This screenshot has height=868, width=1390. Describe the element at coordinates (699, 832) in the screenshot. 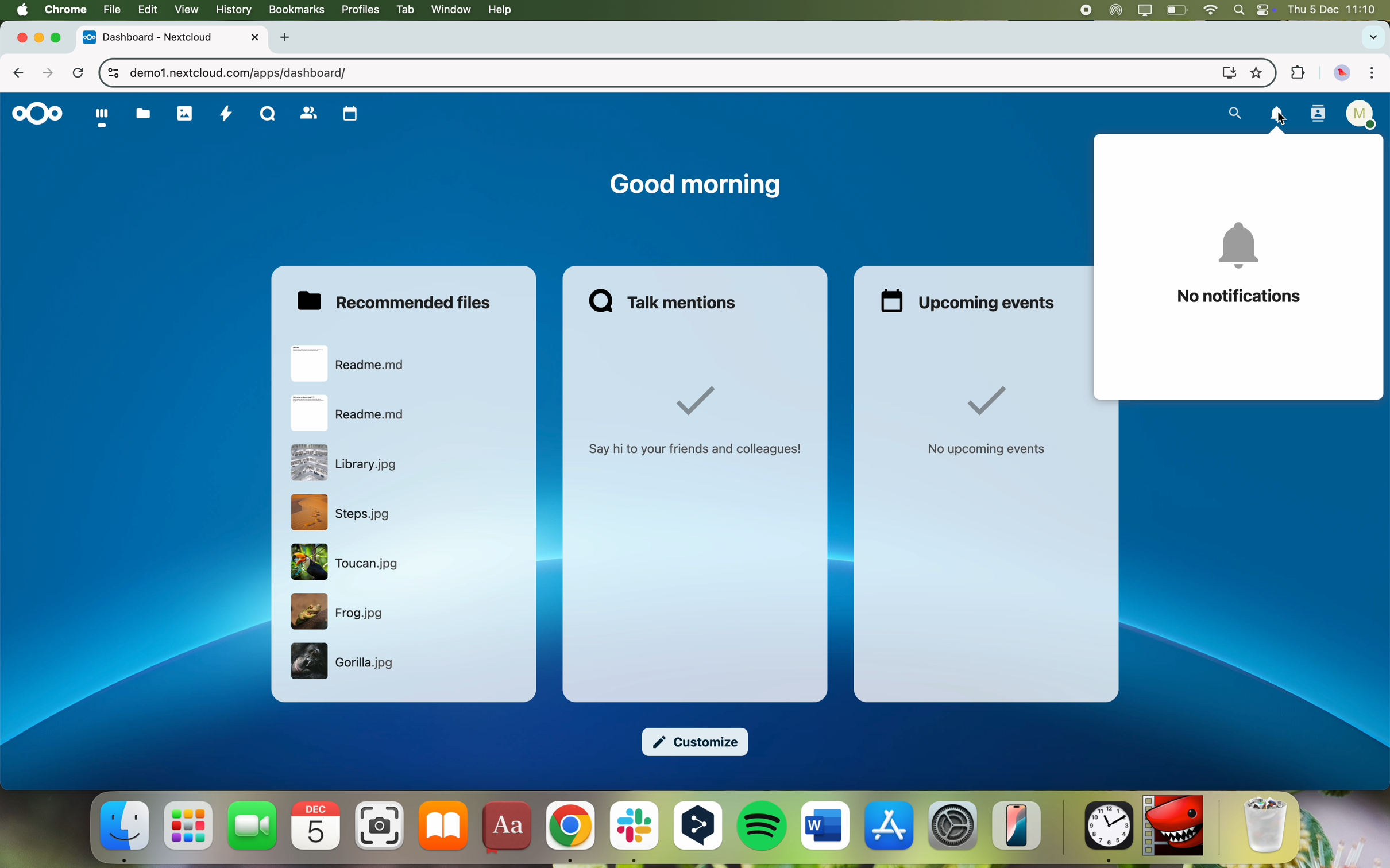

I see `DeepL` at that location.